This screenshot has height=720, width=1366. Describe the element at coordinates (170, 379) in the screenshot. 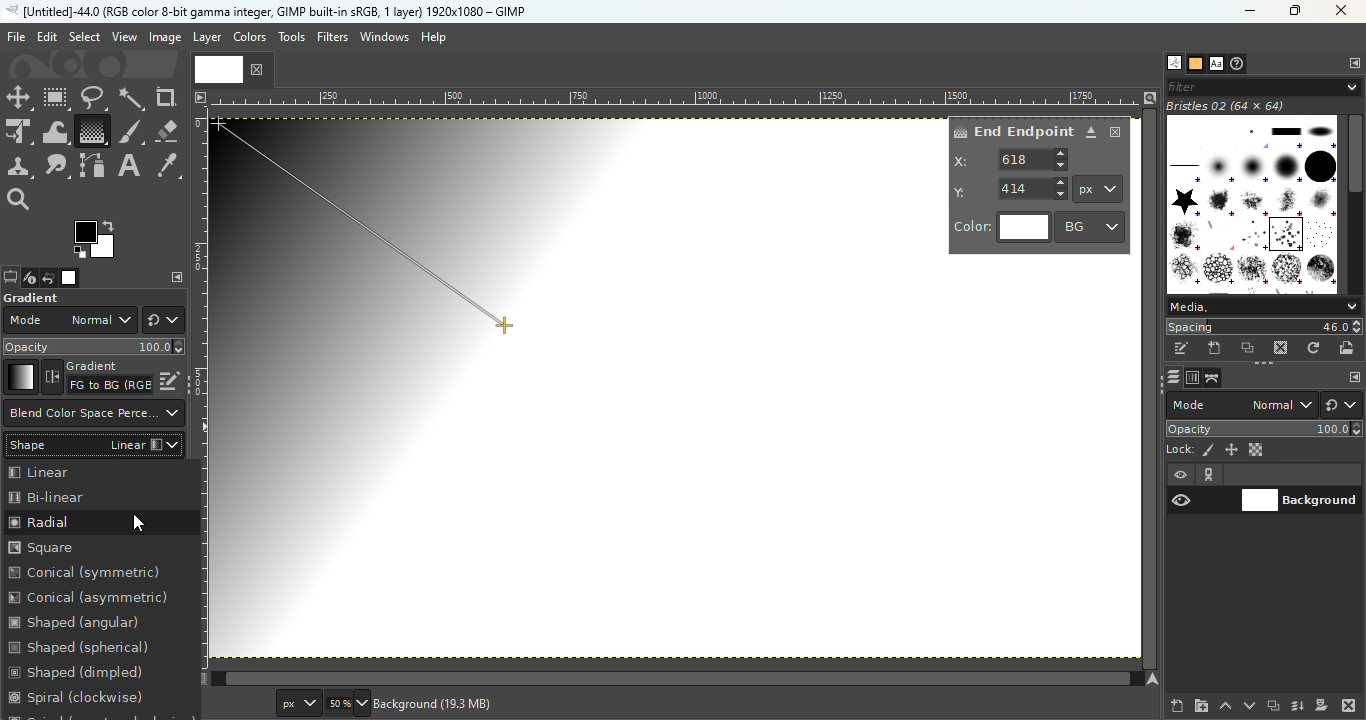

I see `Edit this gradient` at that location.